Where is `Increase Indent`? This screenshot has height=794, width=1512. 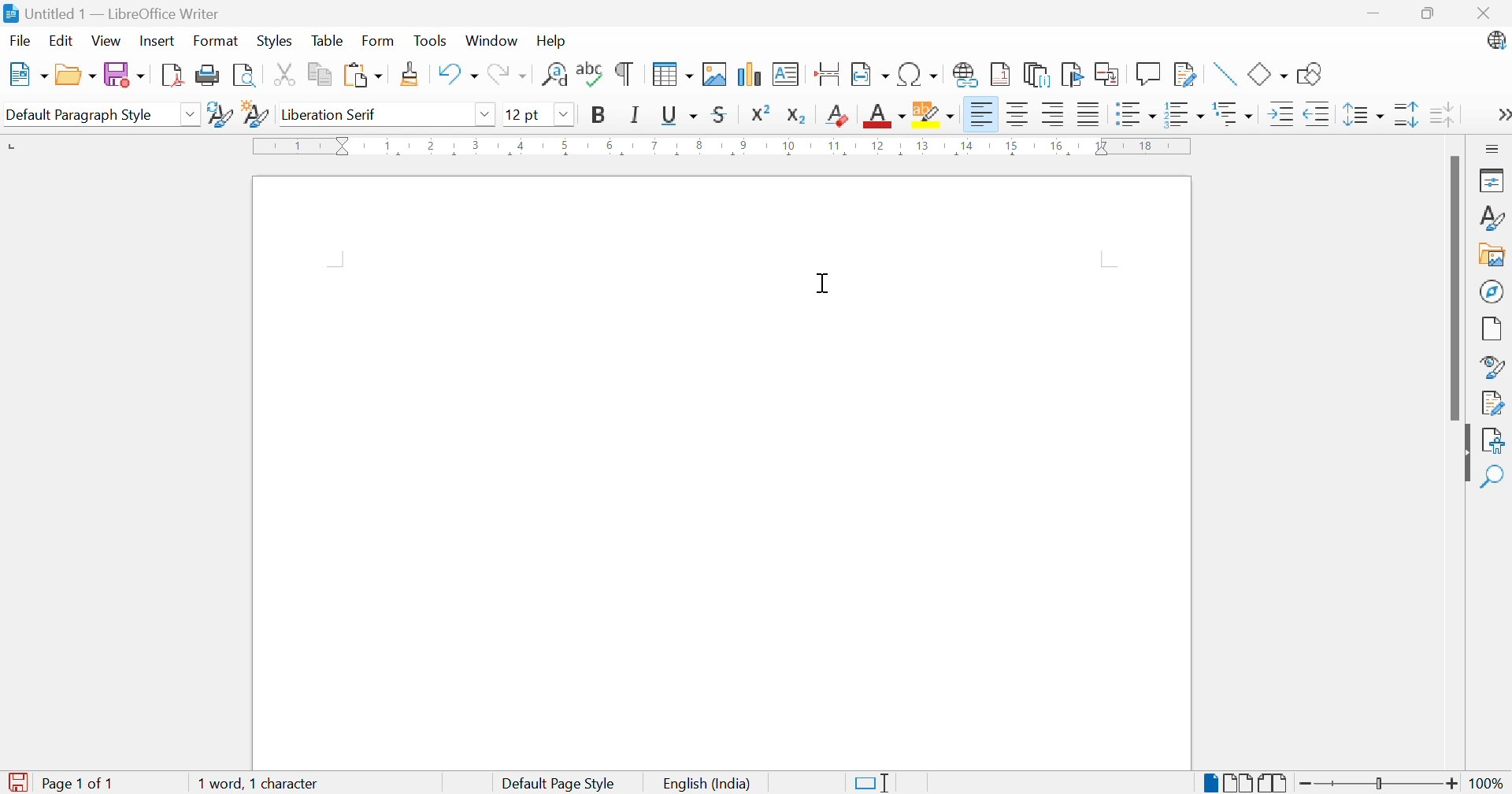 Increase Indent is located at coordinates (1281, 114).